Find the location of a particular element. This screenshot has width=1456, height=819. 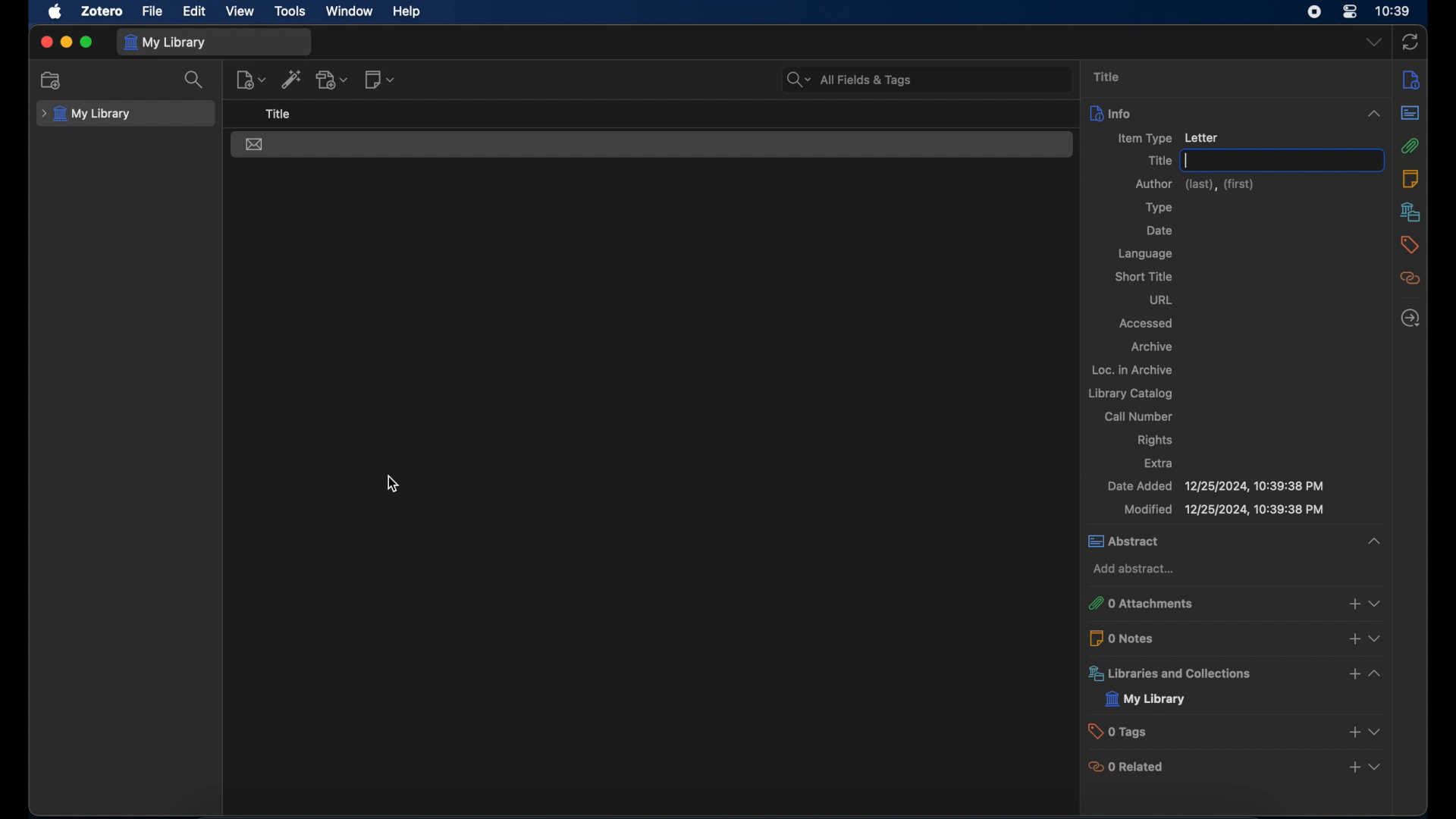

0 notes is located at coordinates (1127, 638).